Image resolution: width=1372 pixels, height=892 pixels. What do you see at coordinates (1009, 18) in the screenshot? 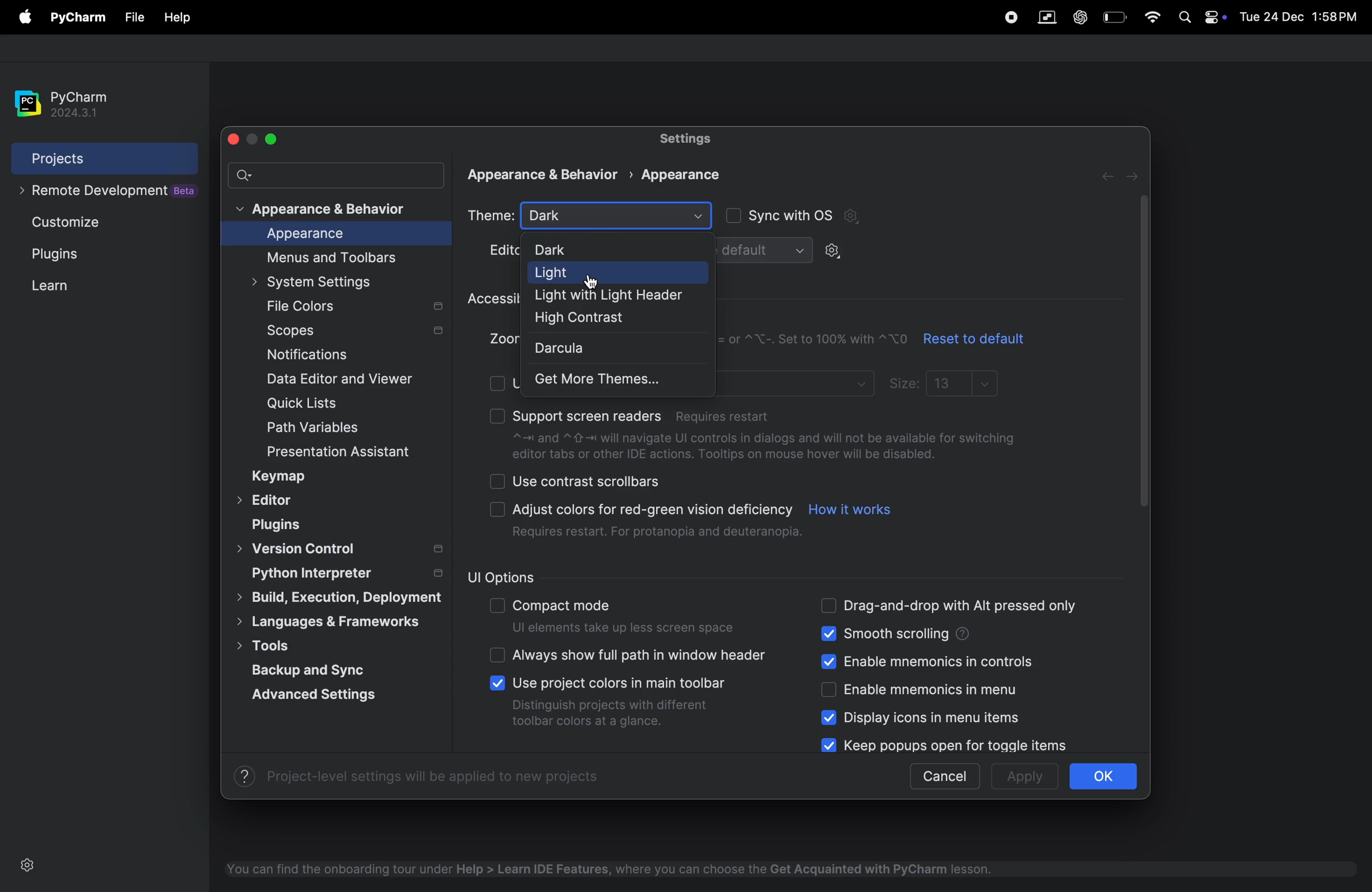
I see `record` at bounding box center [1009, 18].